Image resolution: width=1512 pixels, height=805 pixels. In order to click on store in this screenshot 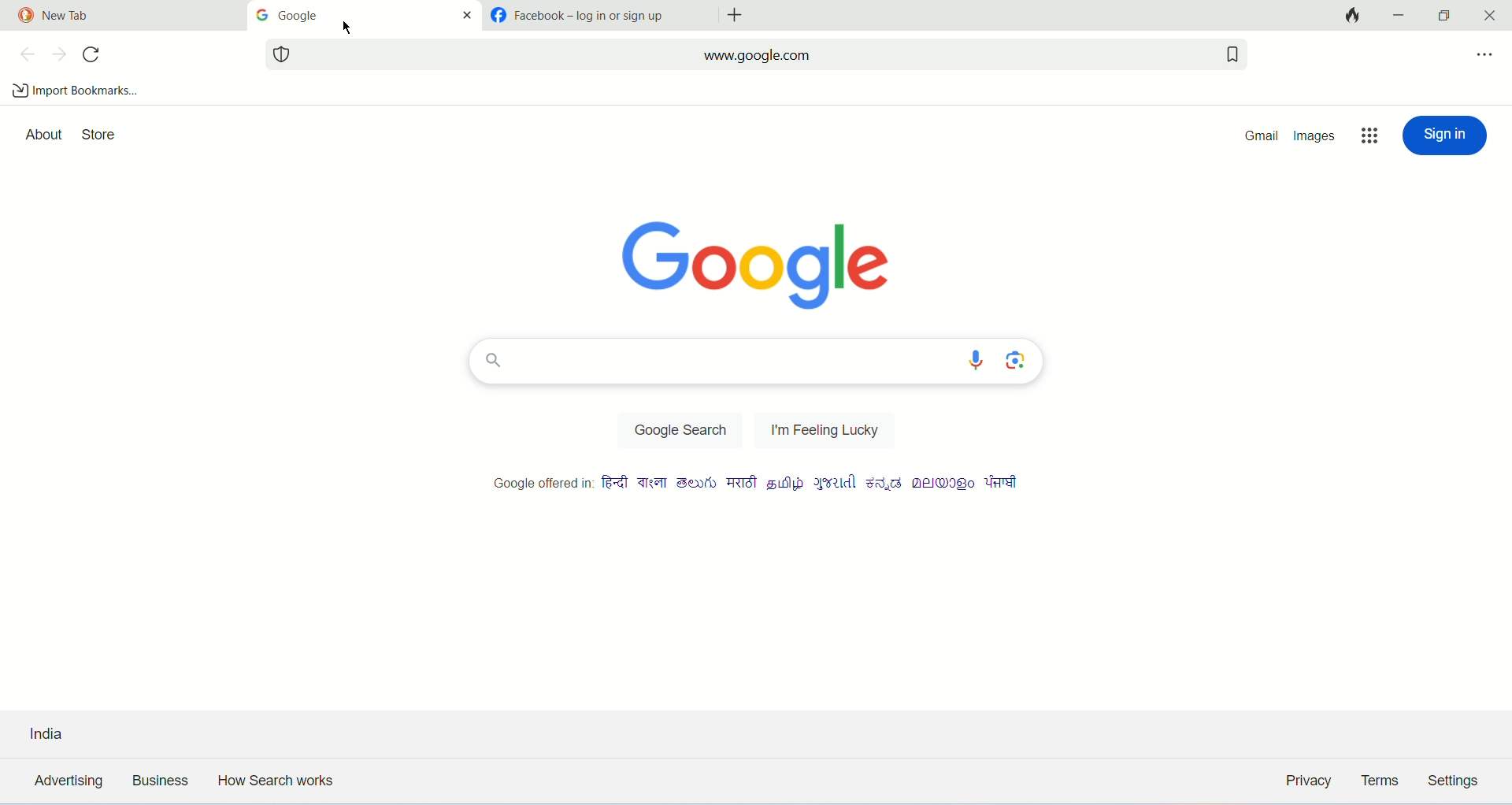, I will do `click(98, 134)`.